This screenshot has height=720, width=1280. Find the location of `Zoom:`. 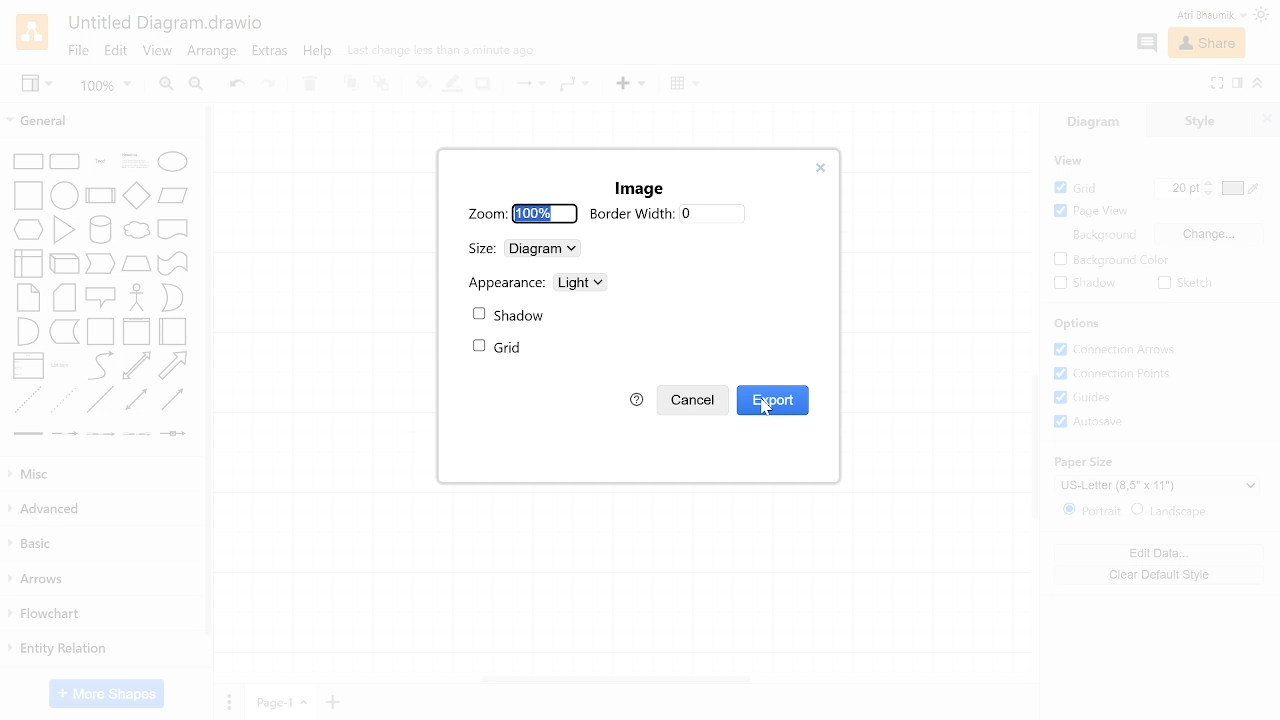

Zoom: is located at coordinates (487, 213).